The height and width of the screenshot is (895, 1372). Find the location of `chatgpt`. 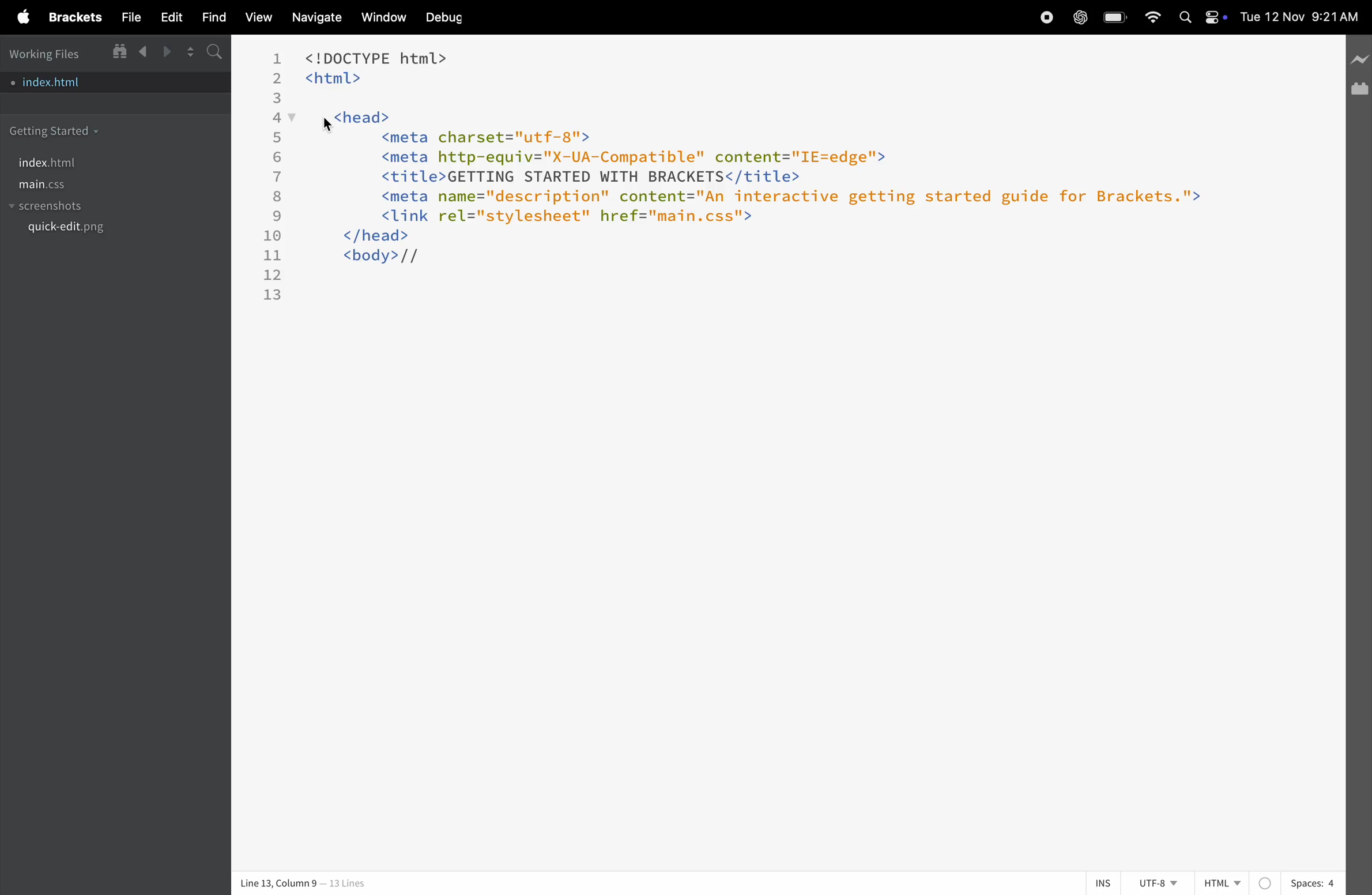

chatgpt is located at coordinates (1077, 17).